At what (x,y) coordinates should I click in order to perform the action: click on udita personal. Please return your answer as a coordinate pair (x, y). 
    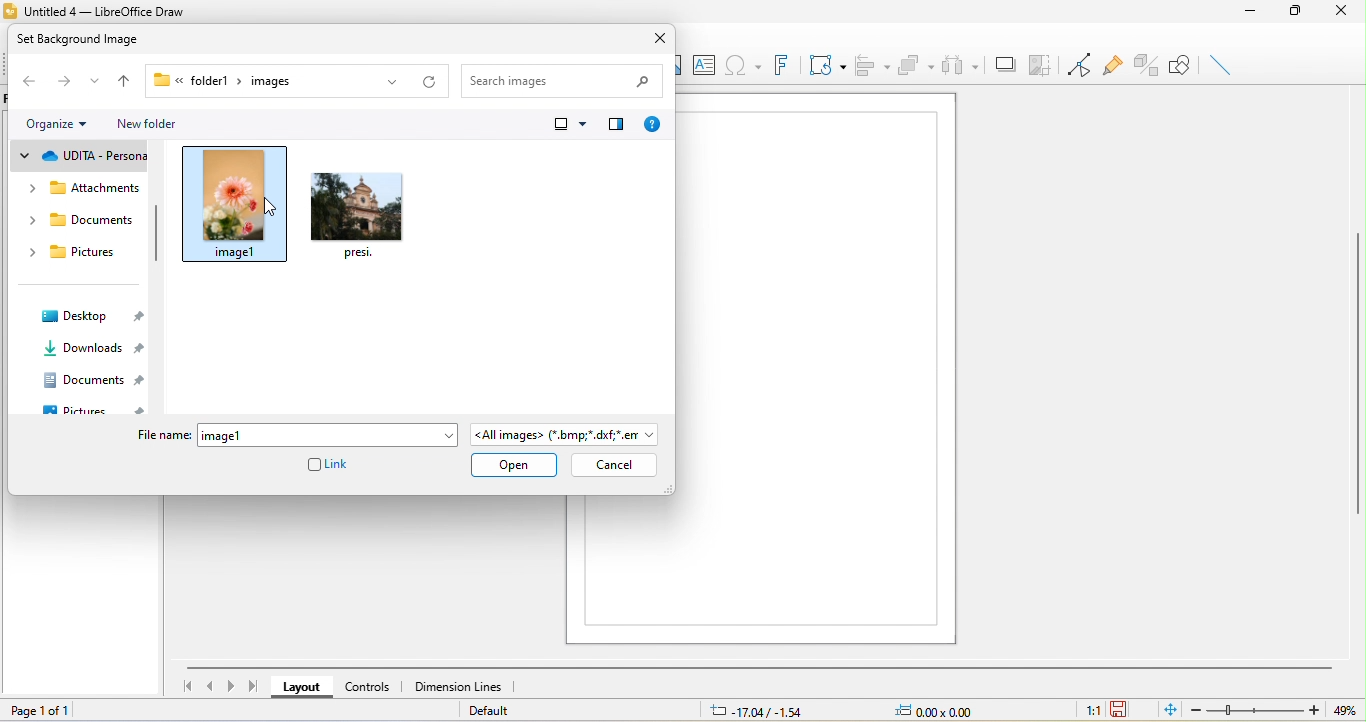
    Looking at the image, I should click on (87, 157).